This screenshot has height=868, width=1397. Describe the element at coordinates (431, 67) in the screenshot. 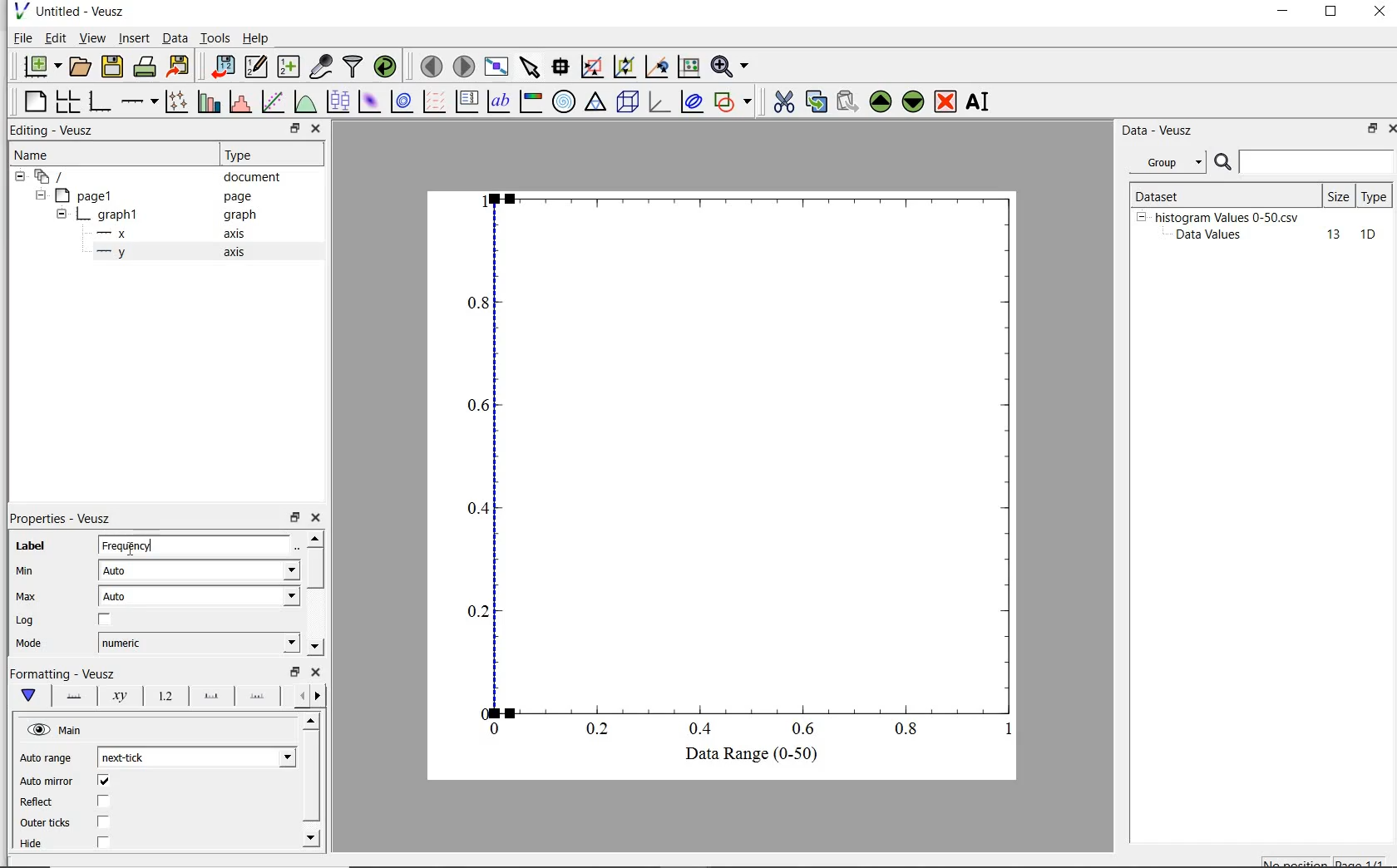

I see `move to previous page` at that location.